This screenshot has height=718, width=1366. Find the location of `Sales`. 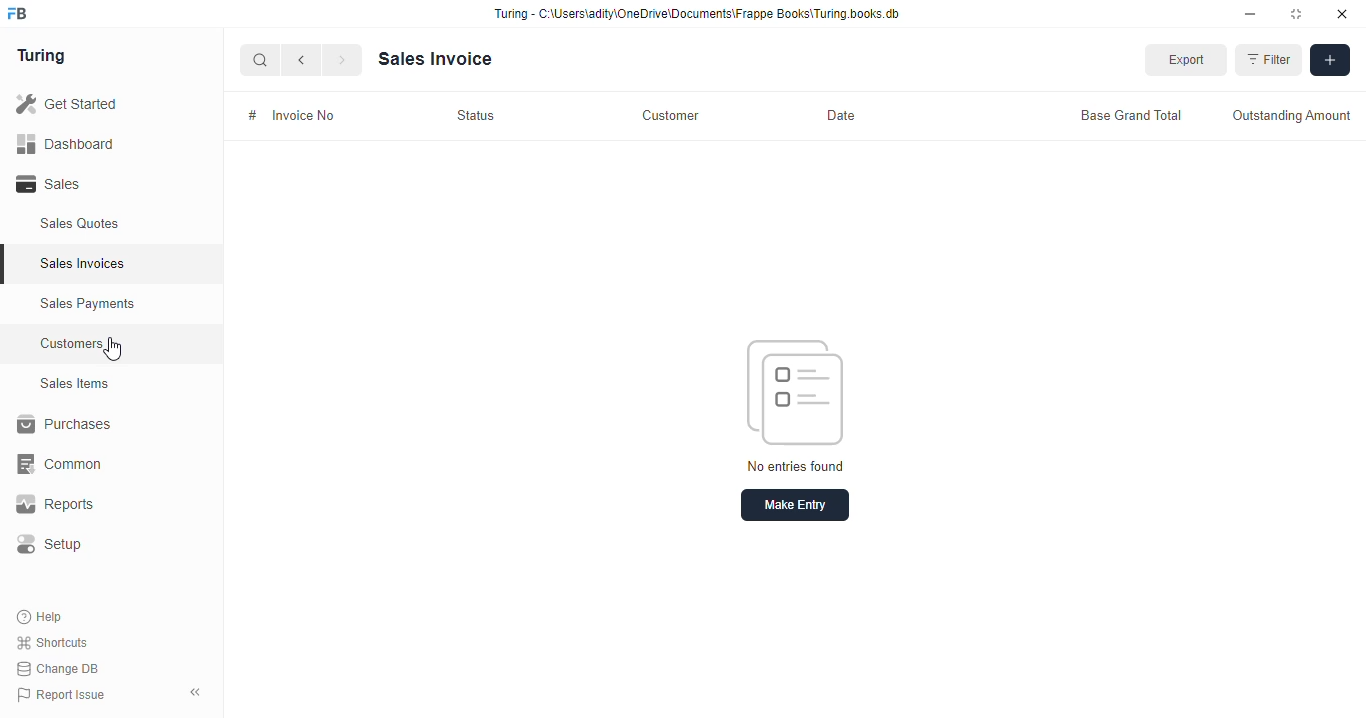

Sales is located at coordinates (98, 184).